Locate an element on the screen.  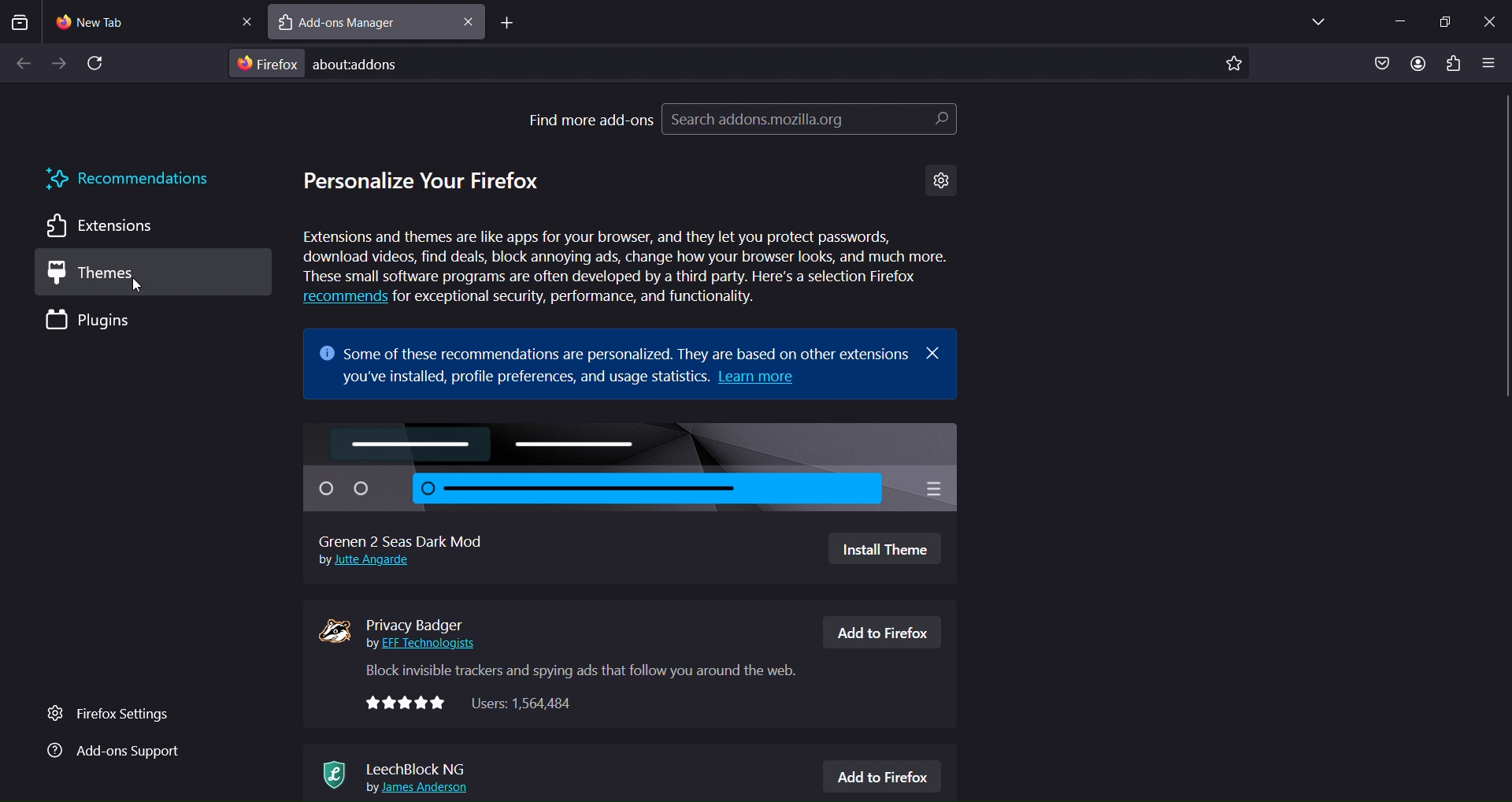
firefox settings is located at coordinates (120, 715).